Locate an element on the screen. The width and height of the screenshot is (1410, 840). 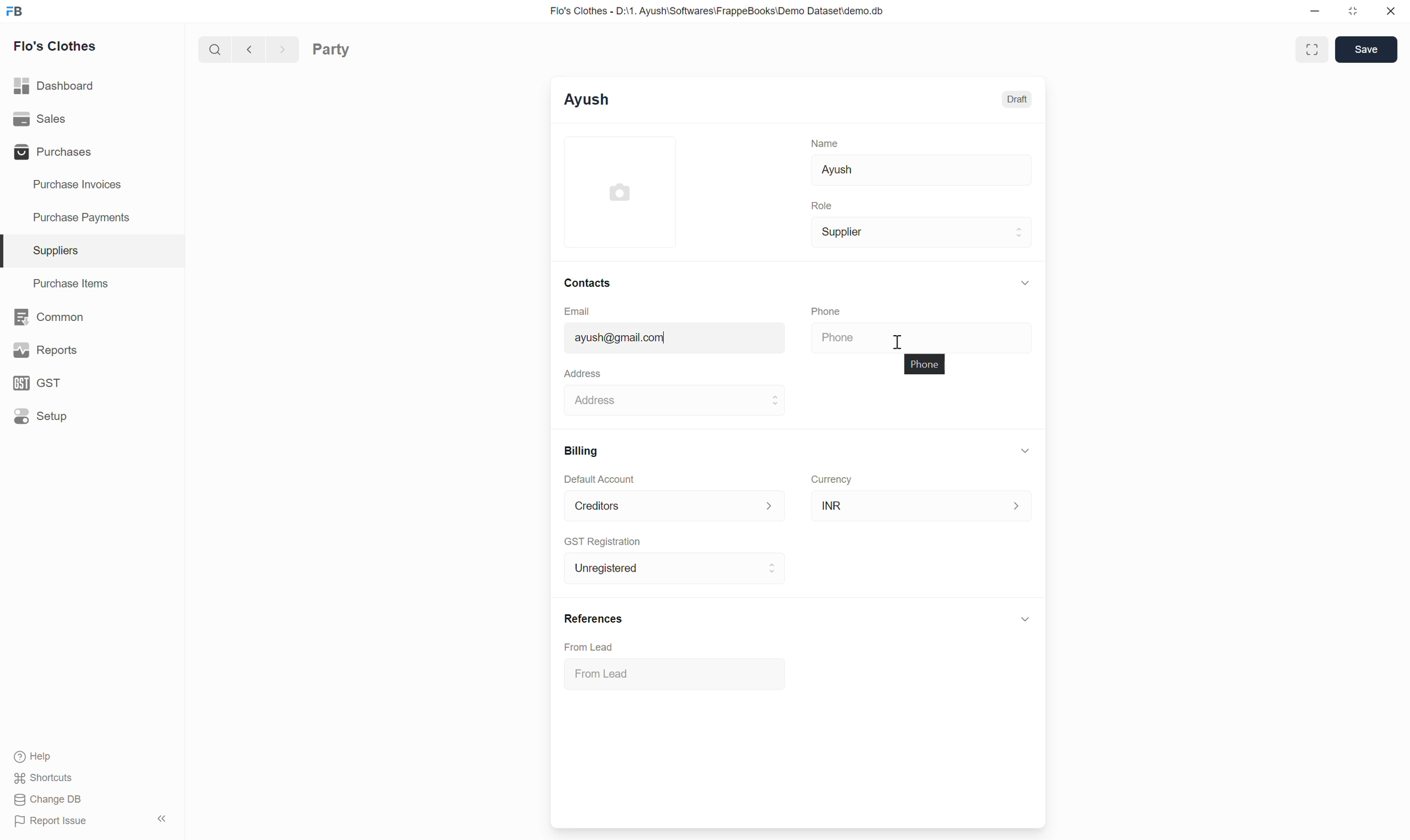
phone is located at coordinates (925, 364).